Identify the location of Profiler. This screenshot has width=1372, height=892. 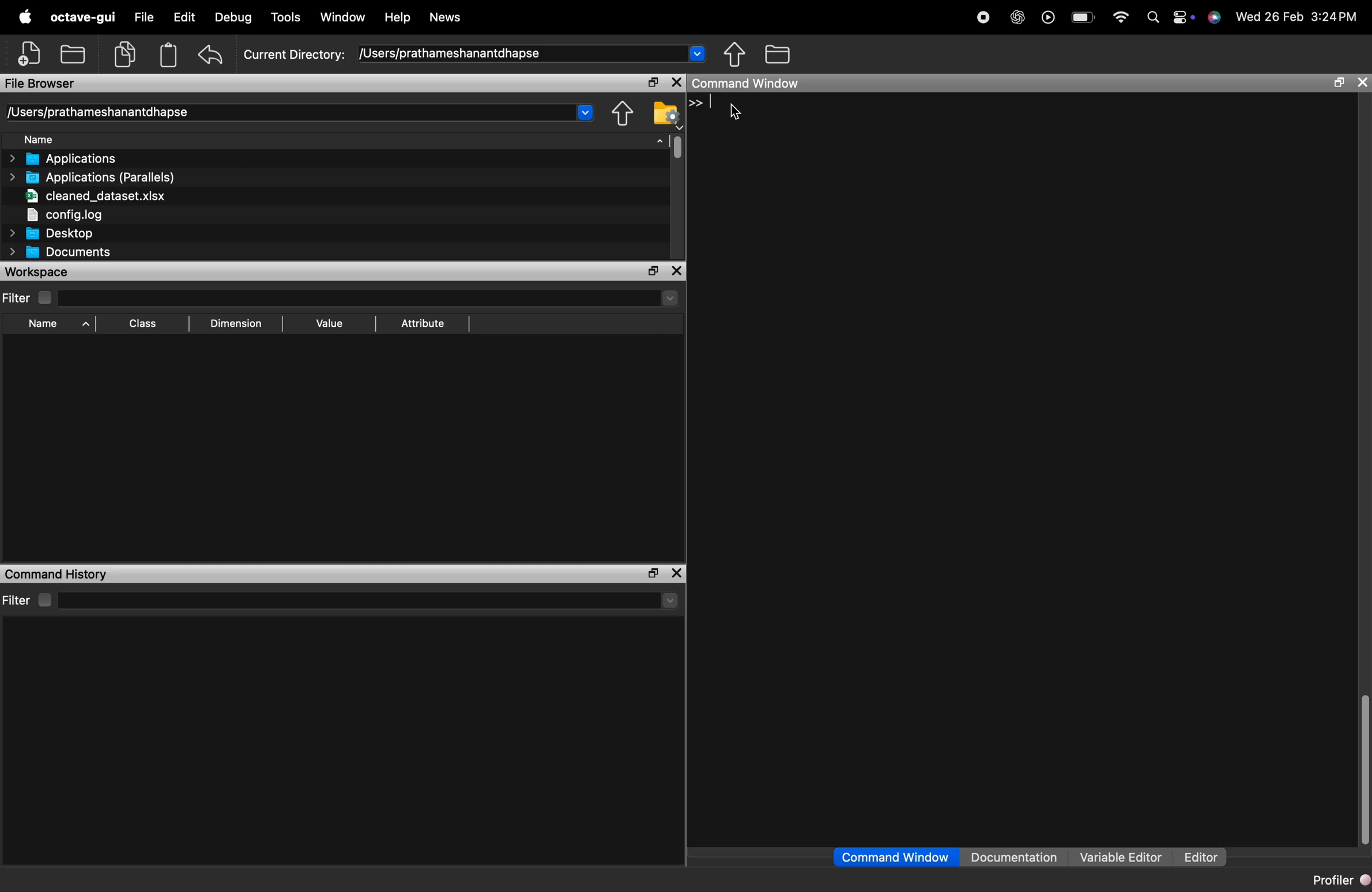
(1340, 880).